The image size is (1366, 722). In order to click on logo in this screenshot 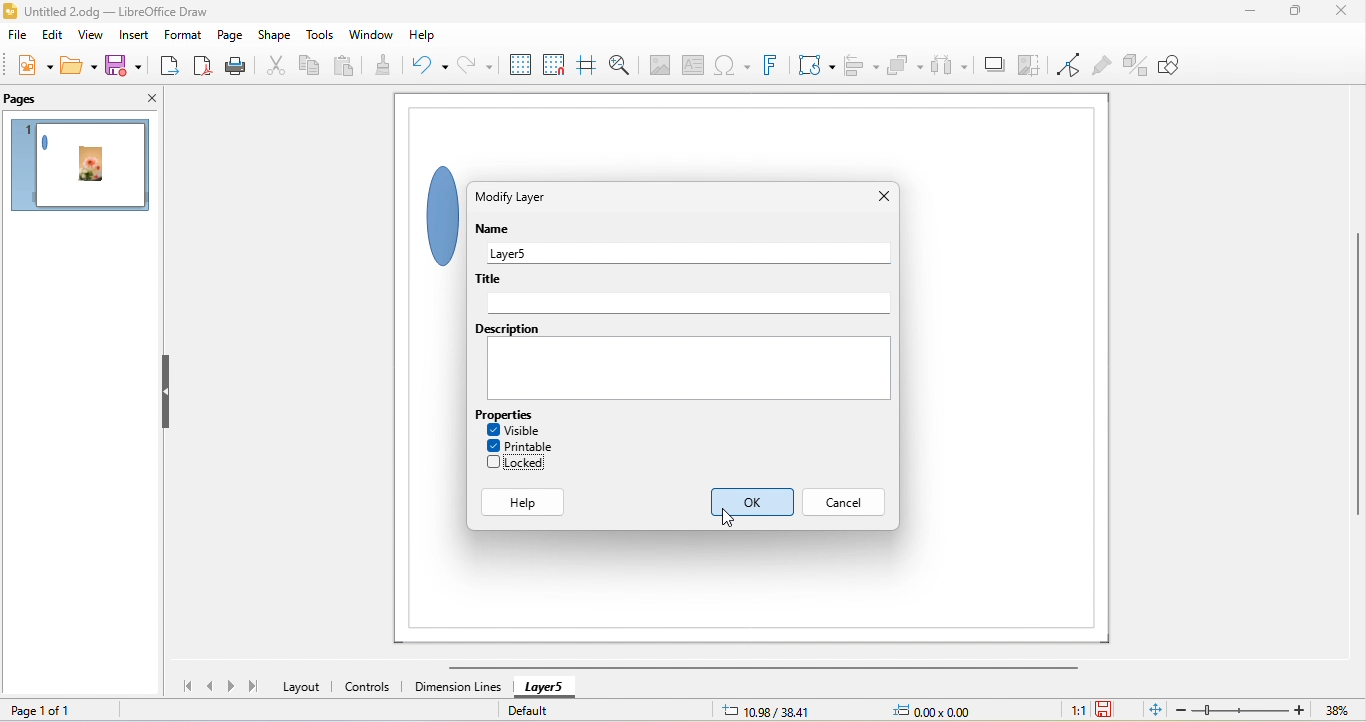, I will do `click(11, 11)`.